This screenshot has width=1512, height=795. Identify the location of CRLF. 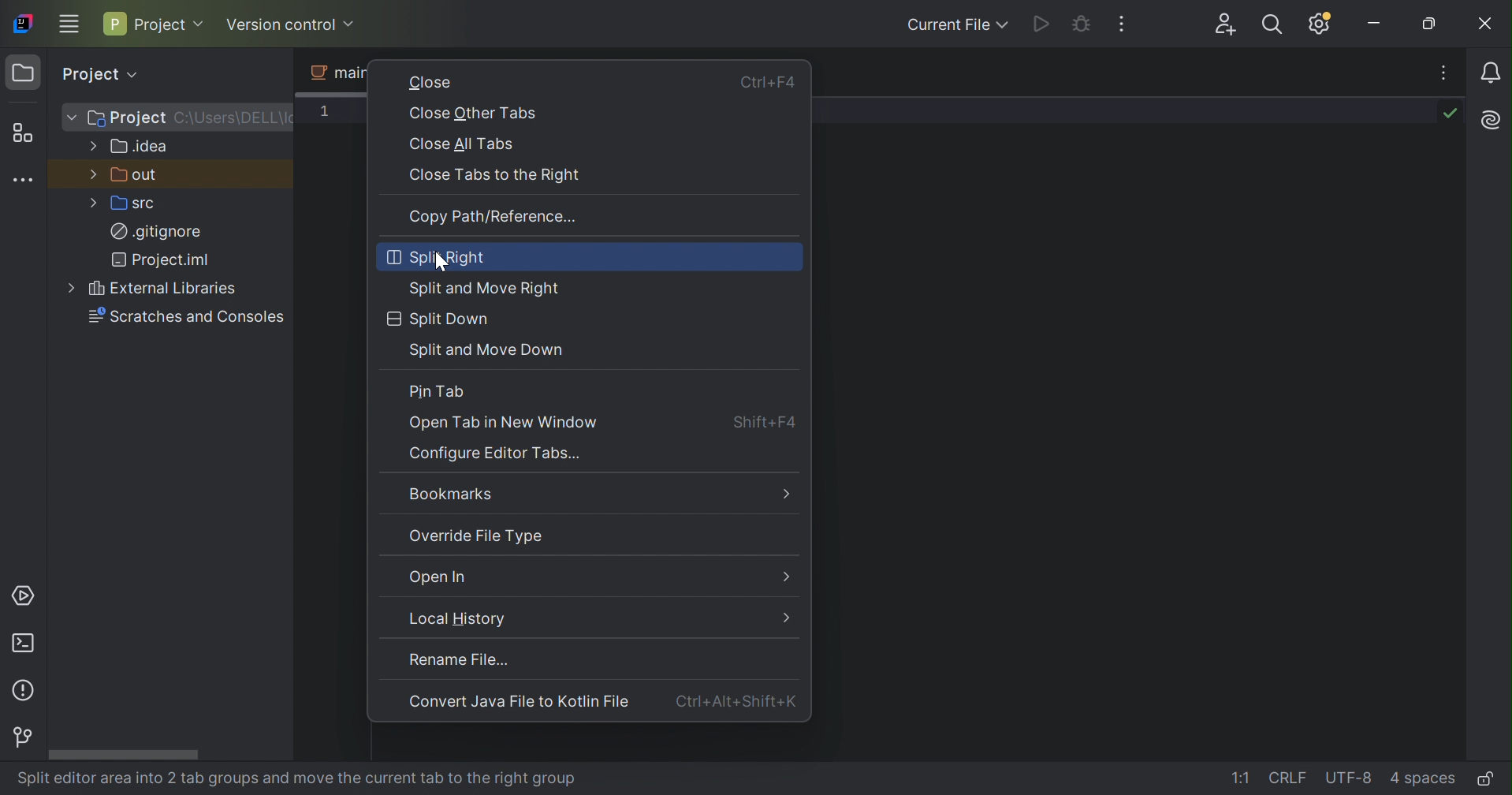
(1292, 777).